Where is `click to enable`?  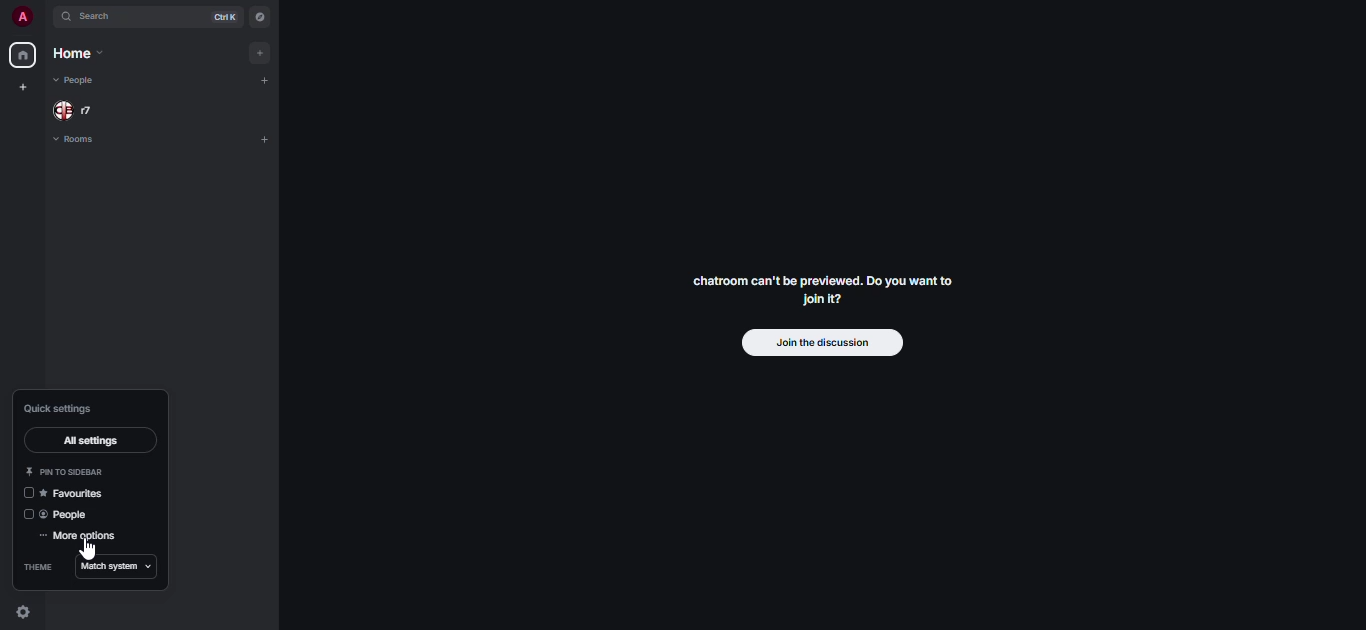 click to enable is located at coordinates (27, 493).